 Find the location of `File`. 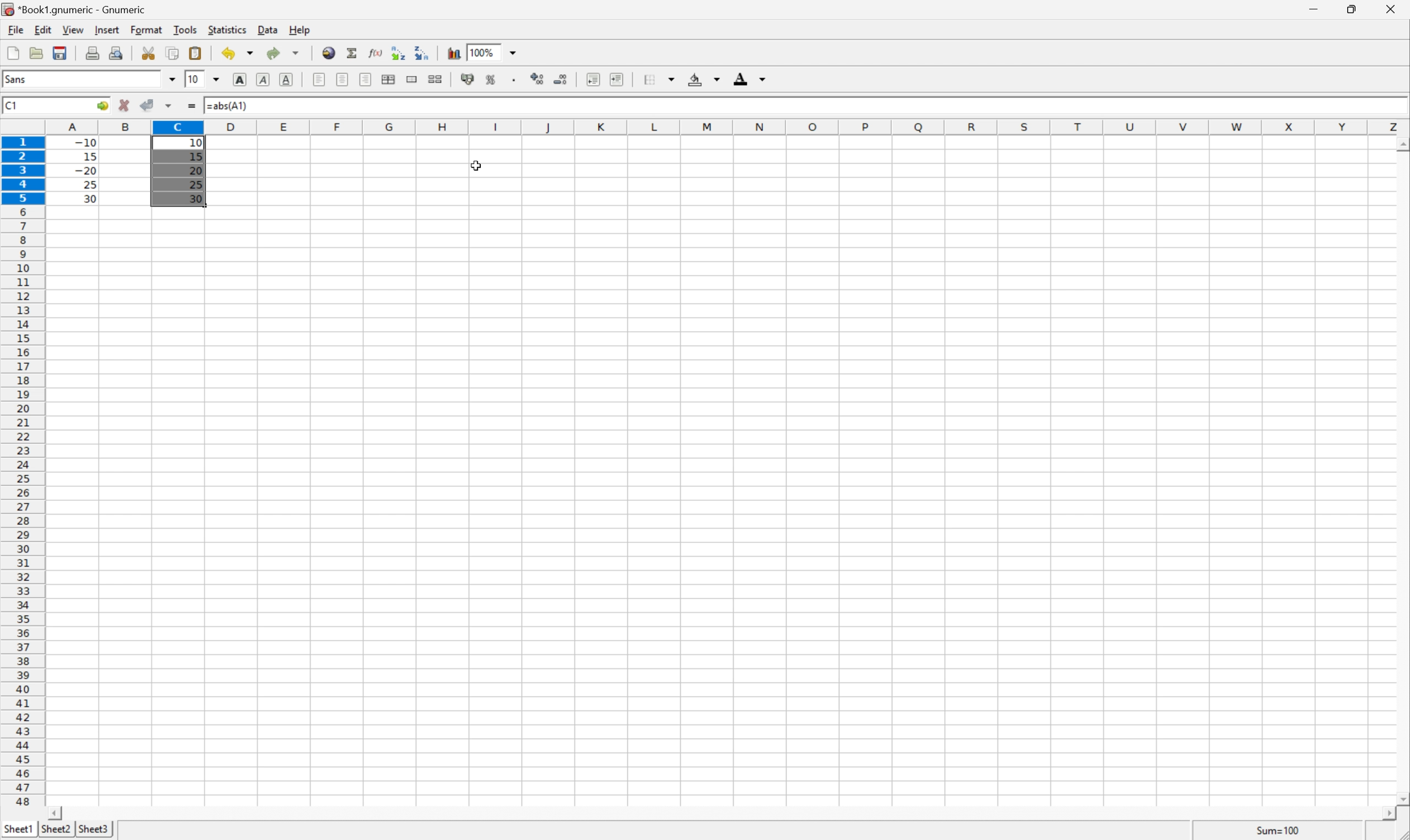

File is located at coordinates (14, 30).